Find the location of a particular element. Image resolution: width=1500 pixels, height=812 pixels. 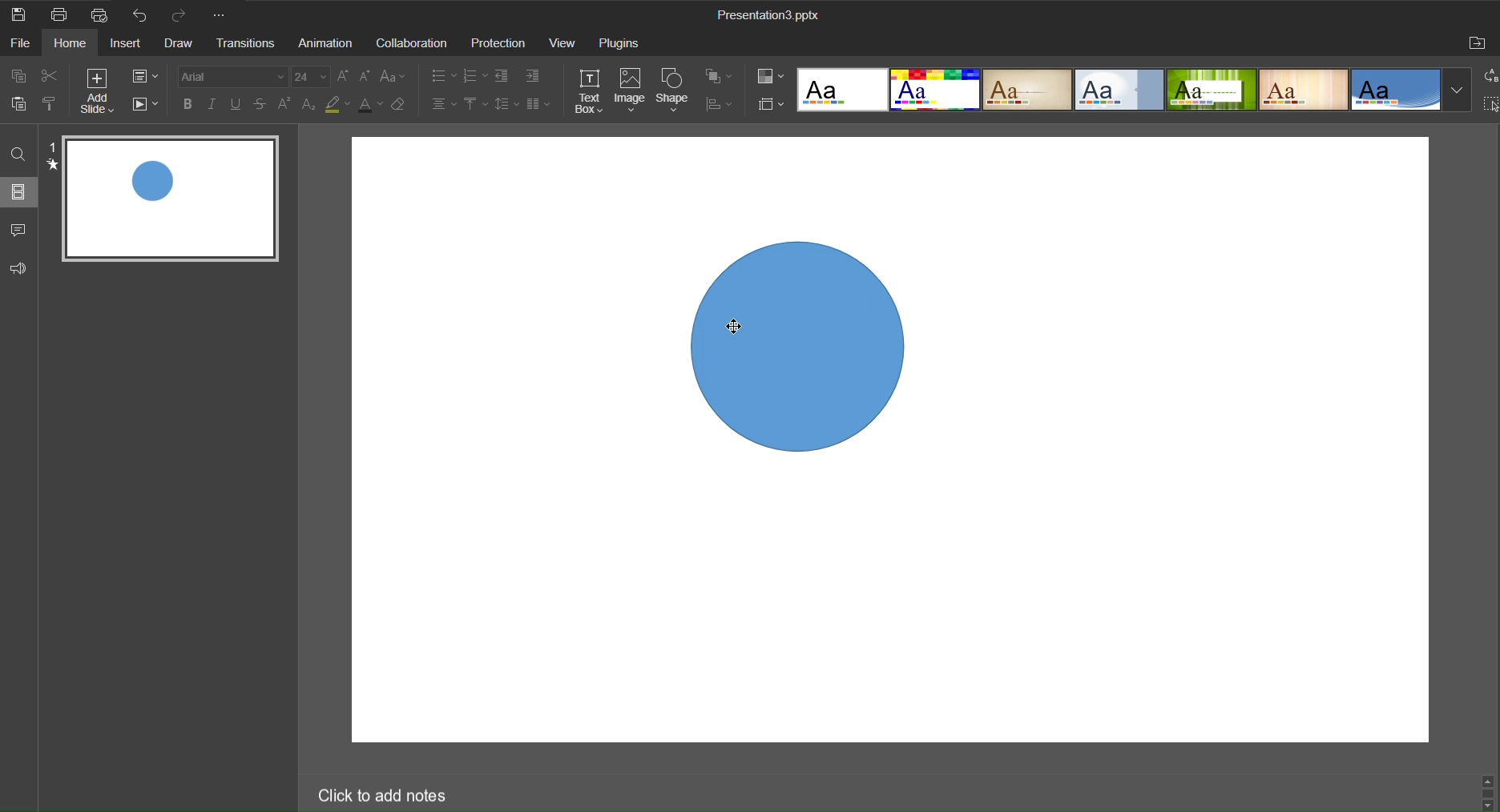

View is located at coordinates (563, 44).